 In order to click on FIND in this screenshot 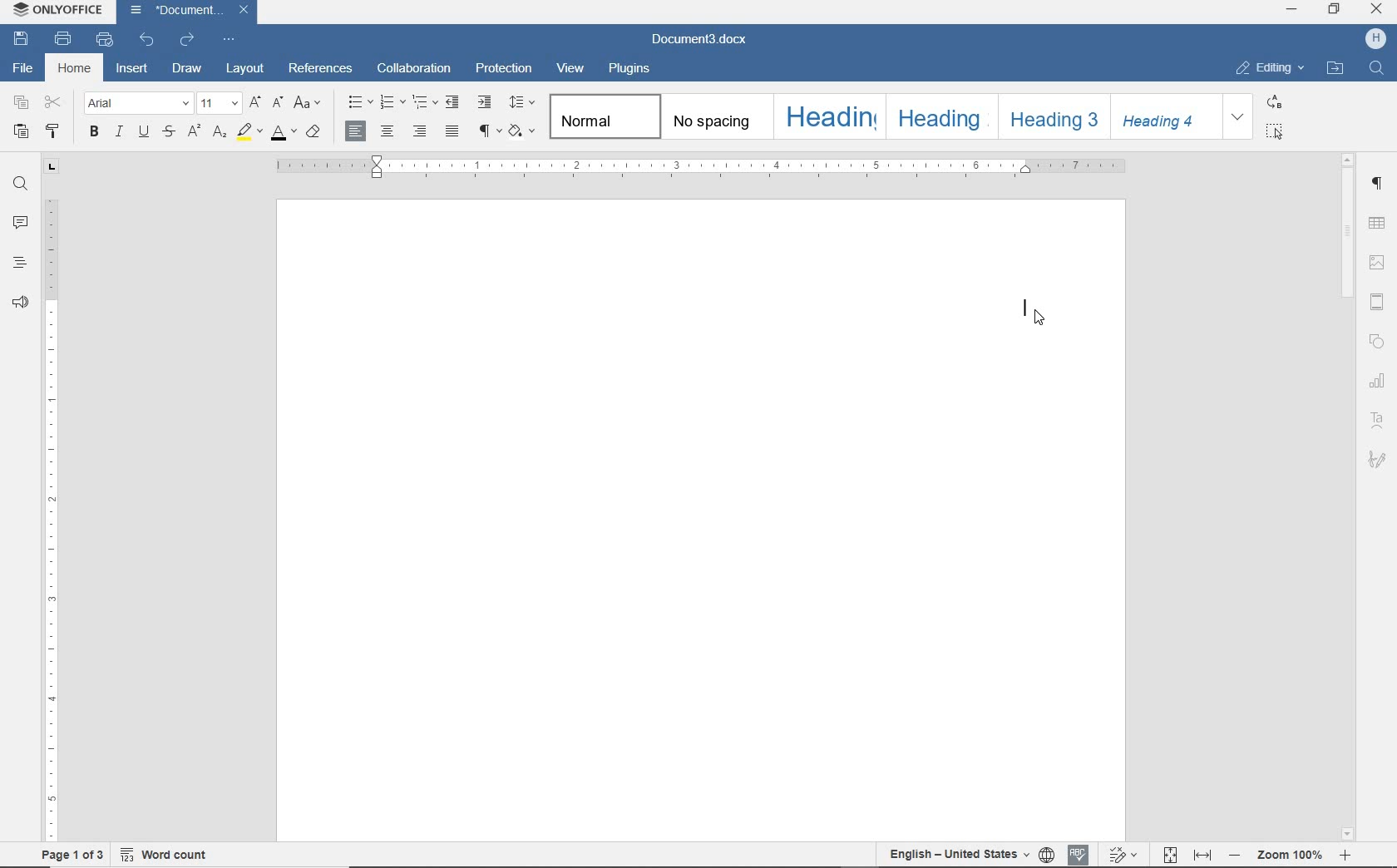, I will do `click(1376, 70)`.